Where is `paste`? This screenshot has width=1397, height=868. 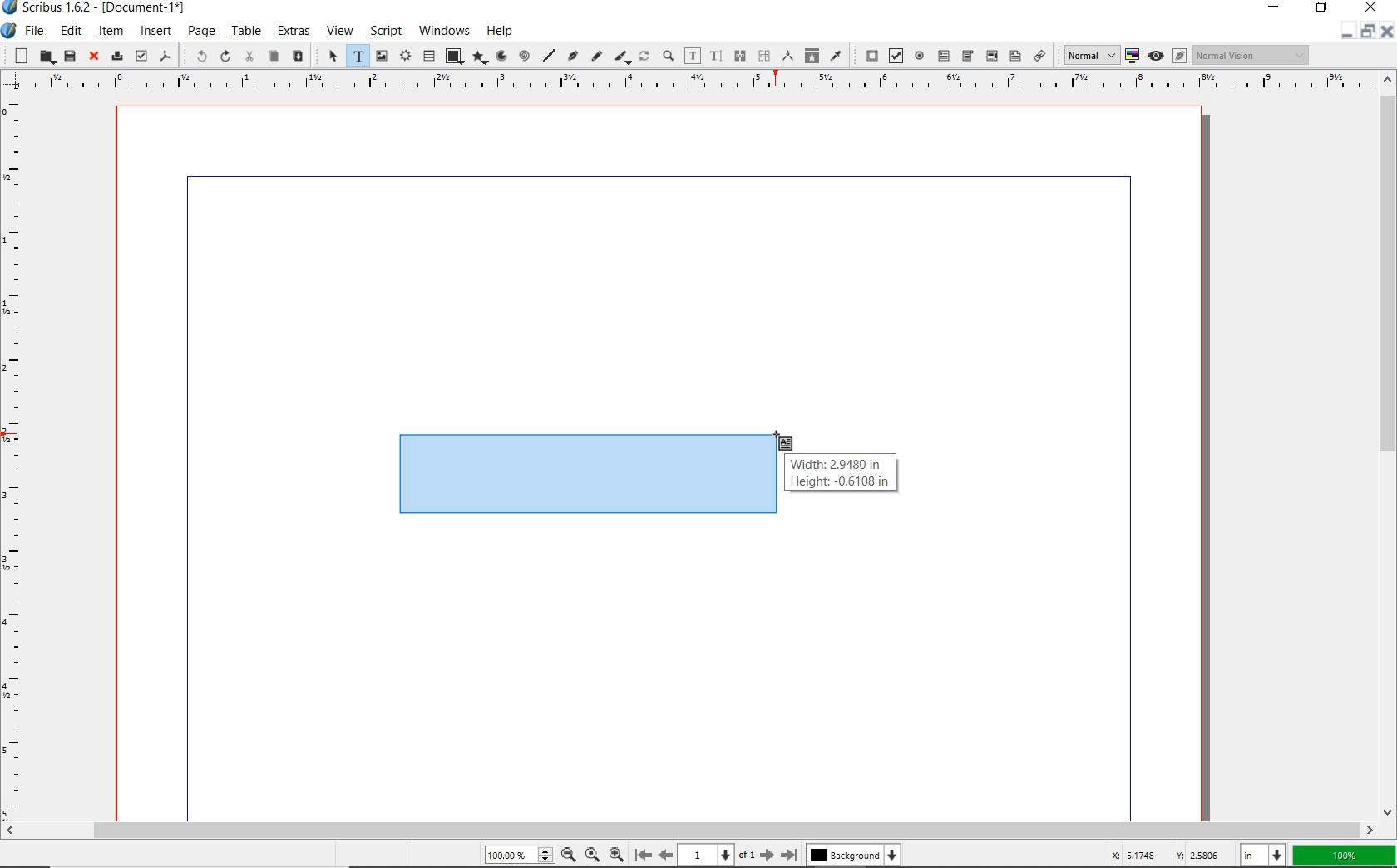 paste is located at coordinates (297, 57).